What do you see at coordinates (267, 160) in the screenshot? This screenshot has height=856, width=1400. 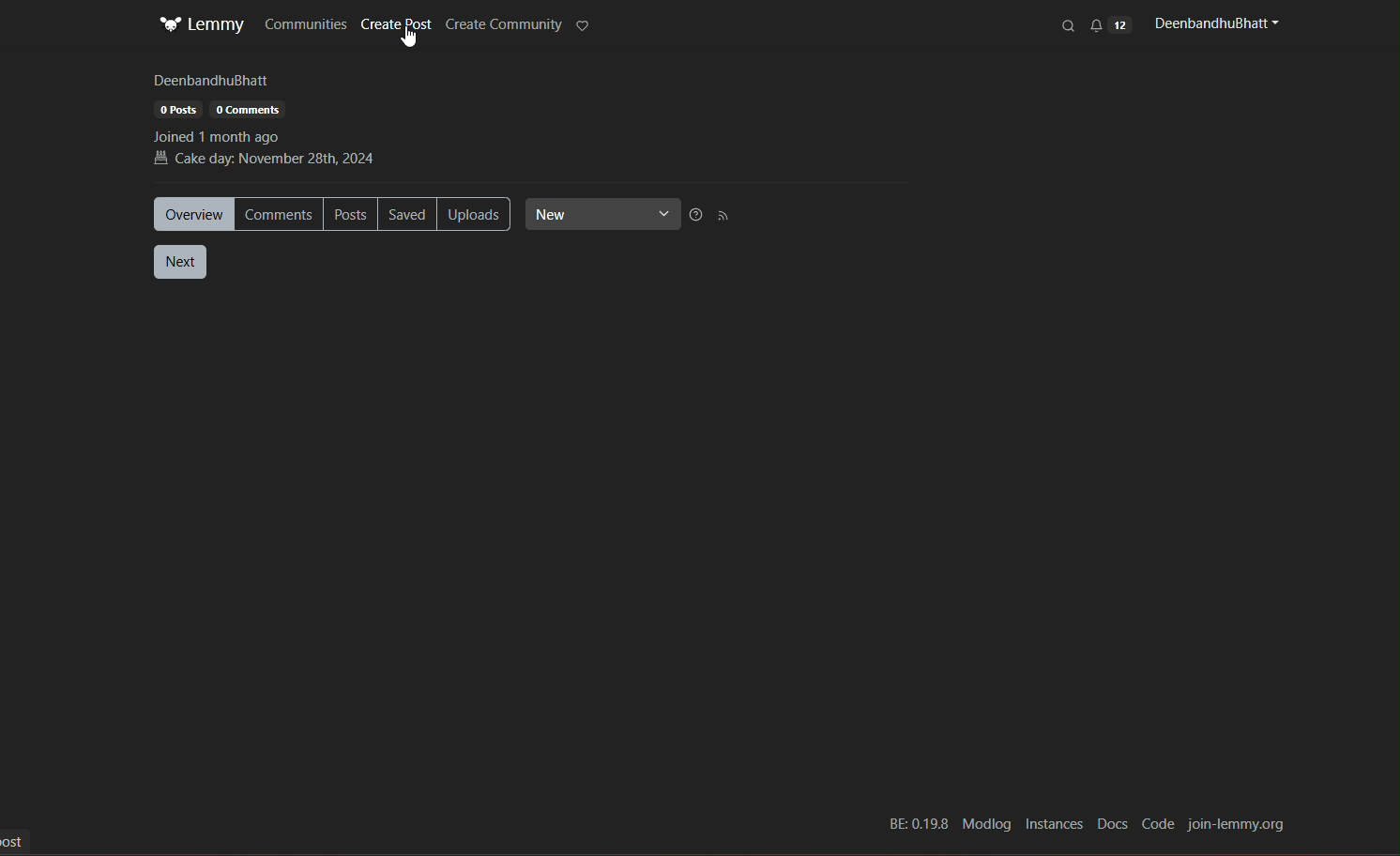 I see `Cake day: November 28th, 2024` at bounding box center [267, 160].